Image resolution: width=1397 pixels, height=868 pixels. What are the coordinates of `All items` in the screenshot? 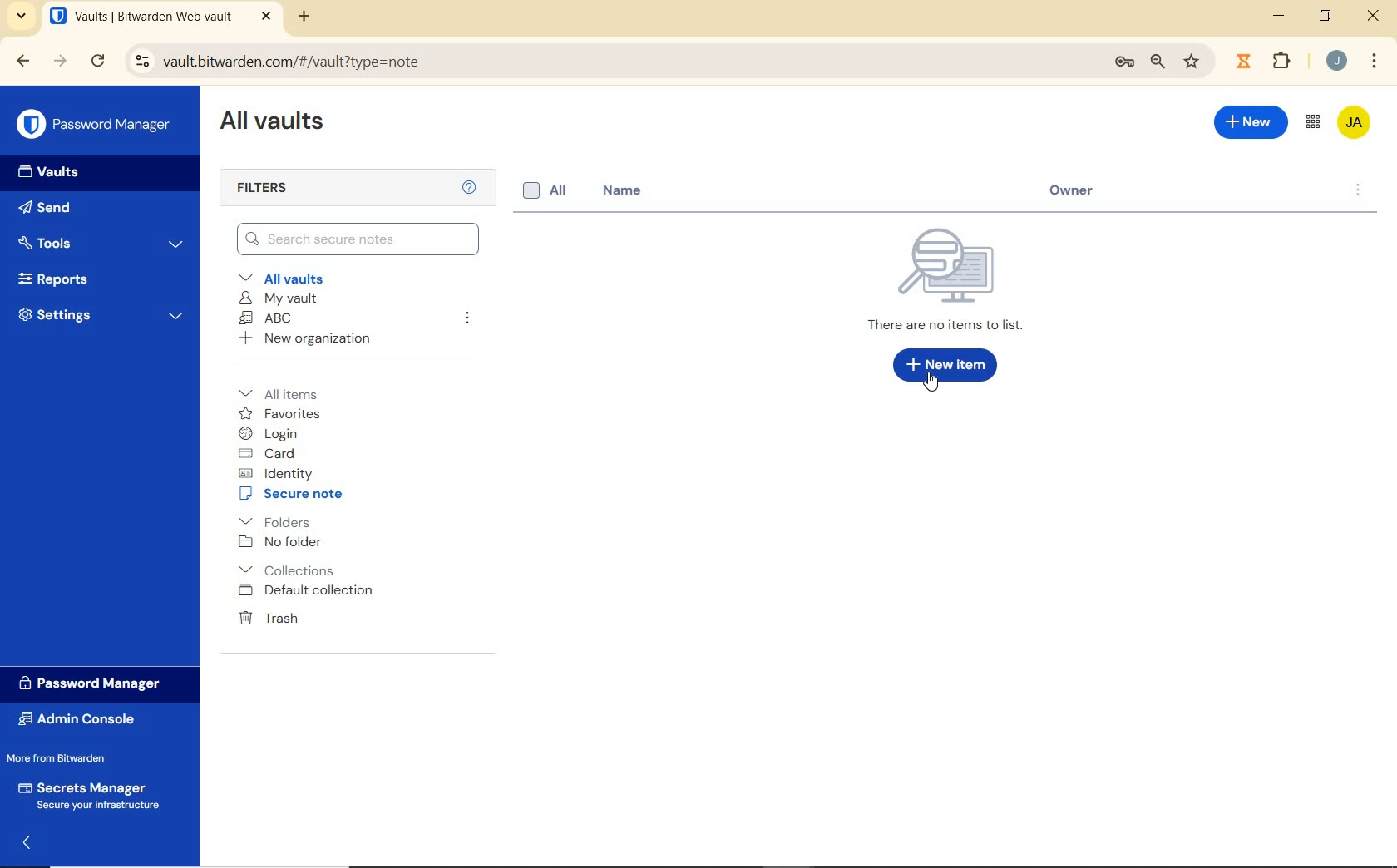 It's located at (290, 392).